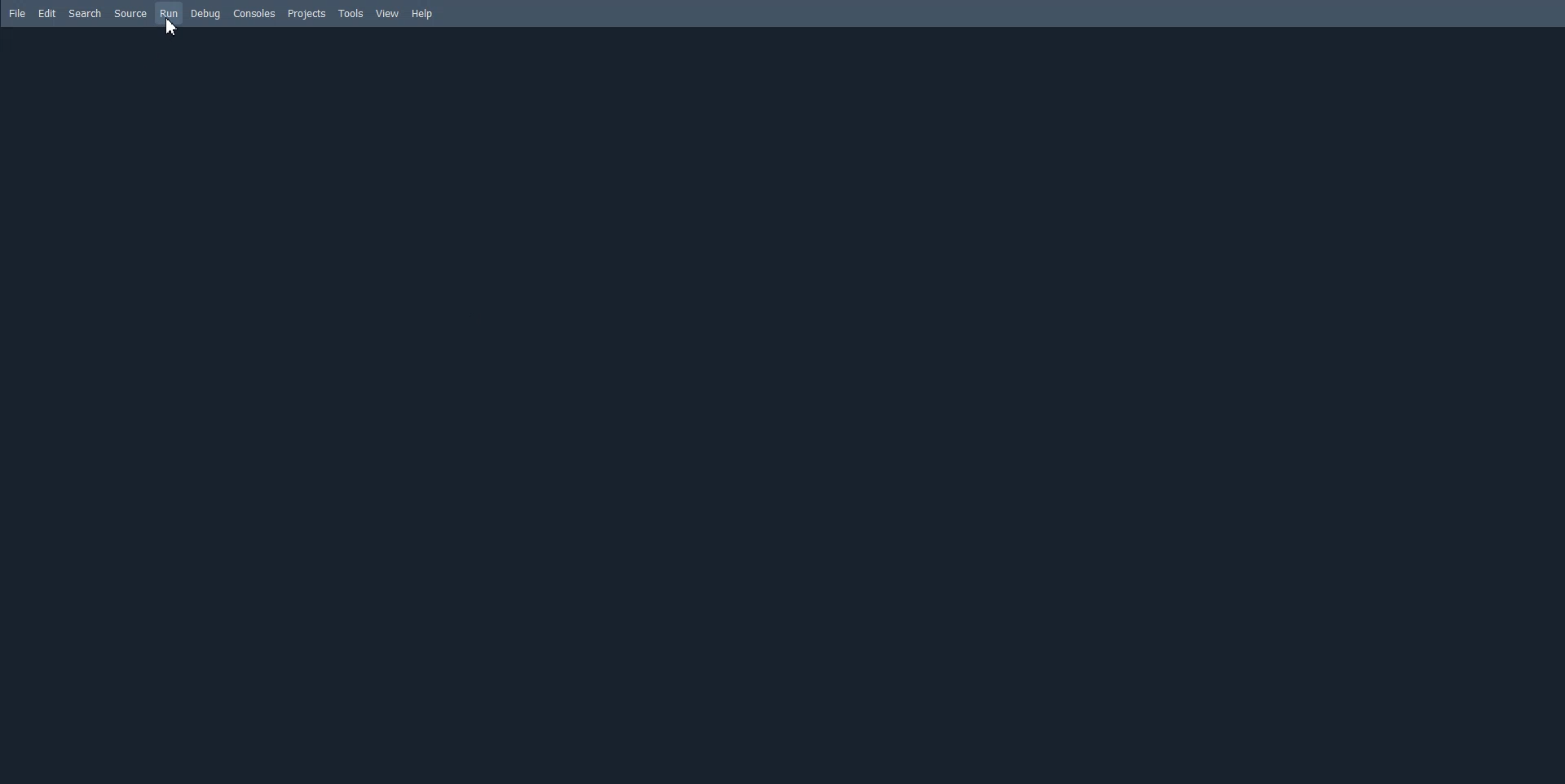  I want to click on Debug, so click(207, 14).